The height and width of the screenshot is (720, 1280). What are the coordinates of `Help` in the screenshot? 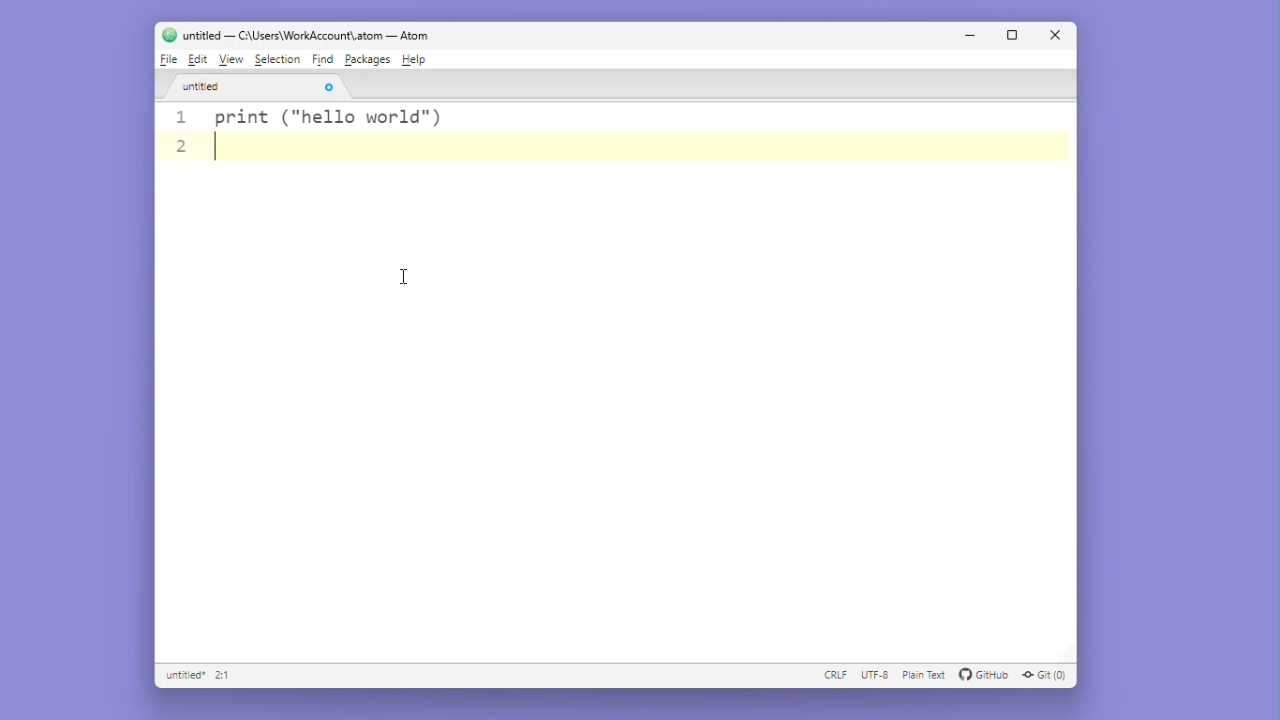 It's located at (417, 59).